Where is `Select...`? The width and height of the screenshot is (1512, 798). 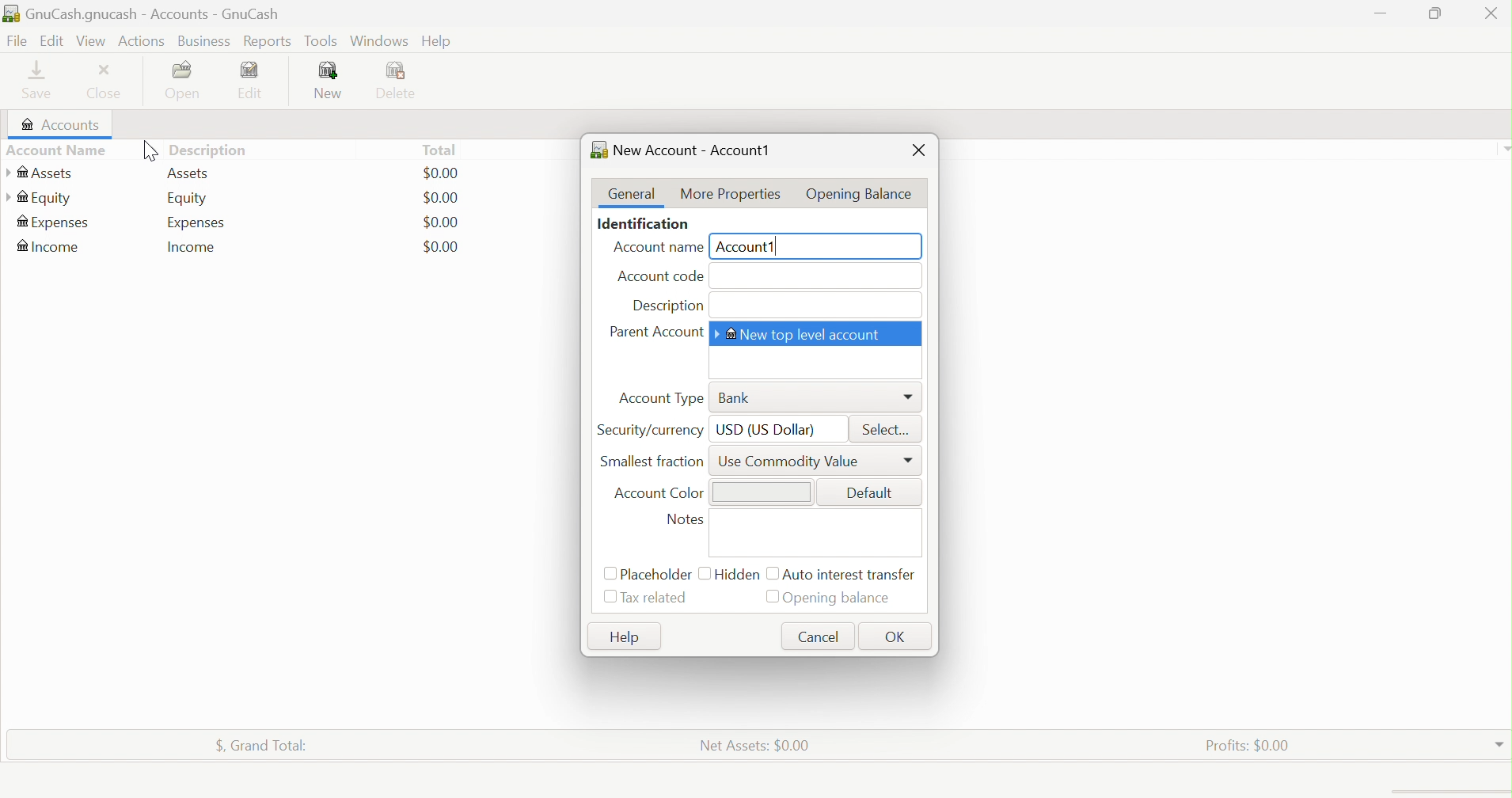 Select... is located at coordinates (890, 429).